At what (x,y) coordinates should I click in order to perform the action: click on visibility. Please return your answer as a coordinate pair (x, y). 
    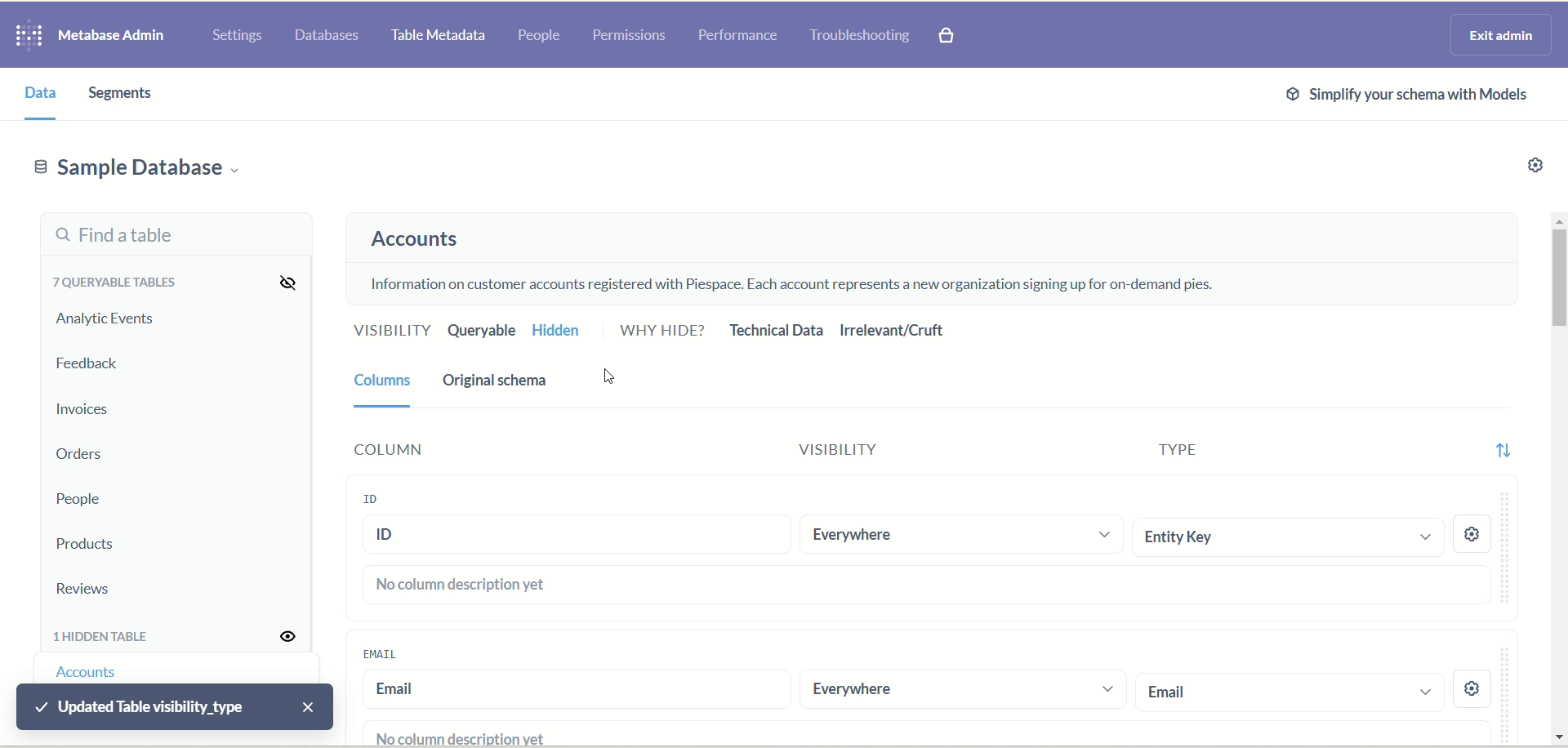
    Looking at the image, I should click on (390, 330).